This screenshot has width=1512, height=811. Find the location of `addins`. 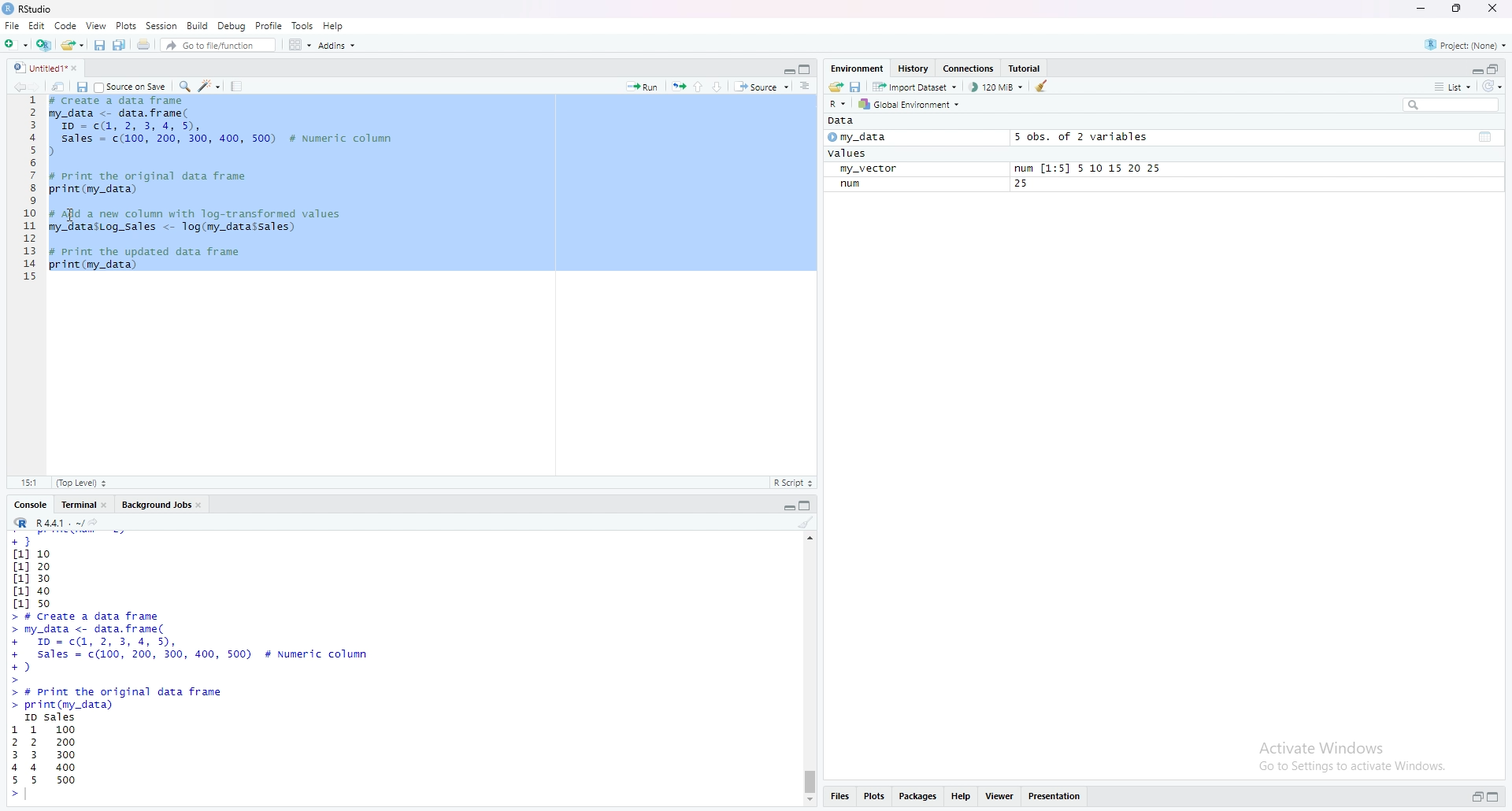

addins is located at coordinates (336, 45).